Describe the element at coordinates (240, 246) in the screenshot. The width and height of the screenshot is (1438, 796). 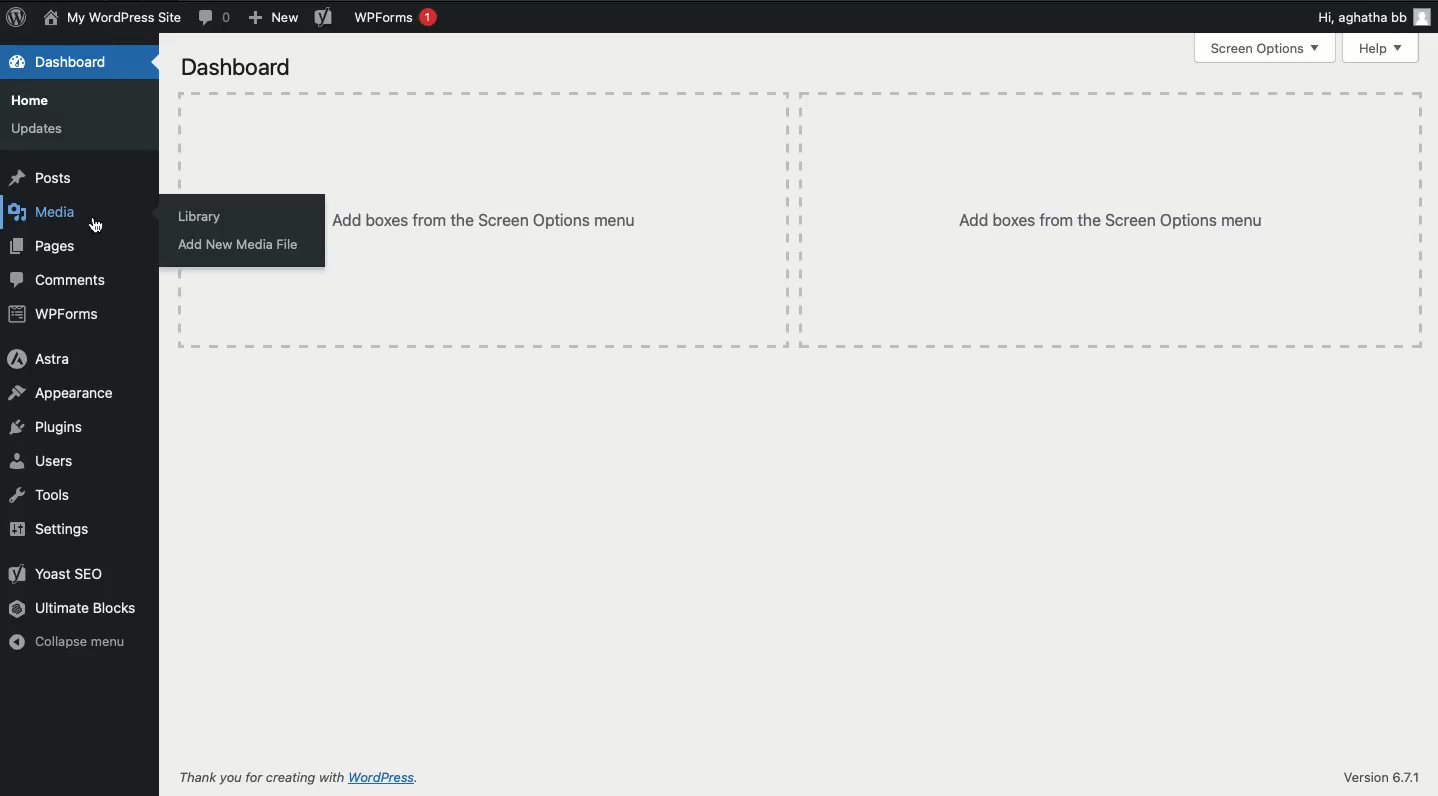
I see `Add new media file` at that location.